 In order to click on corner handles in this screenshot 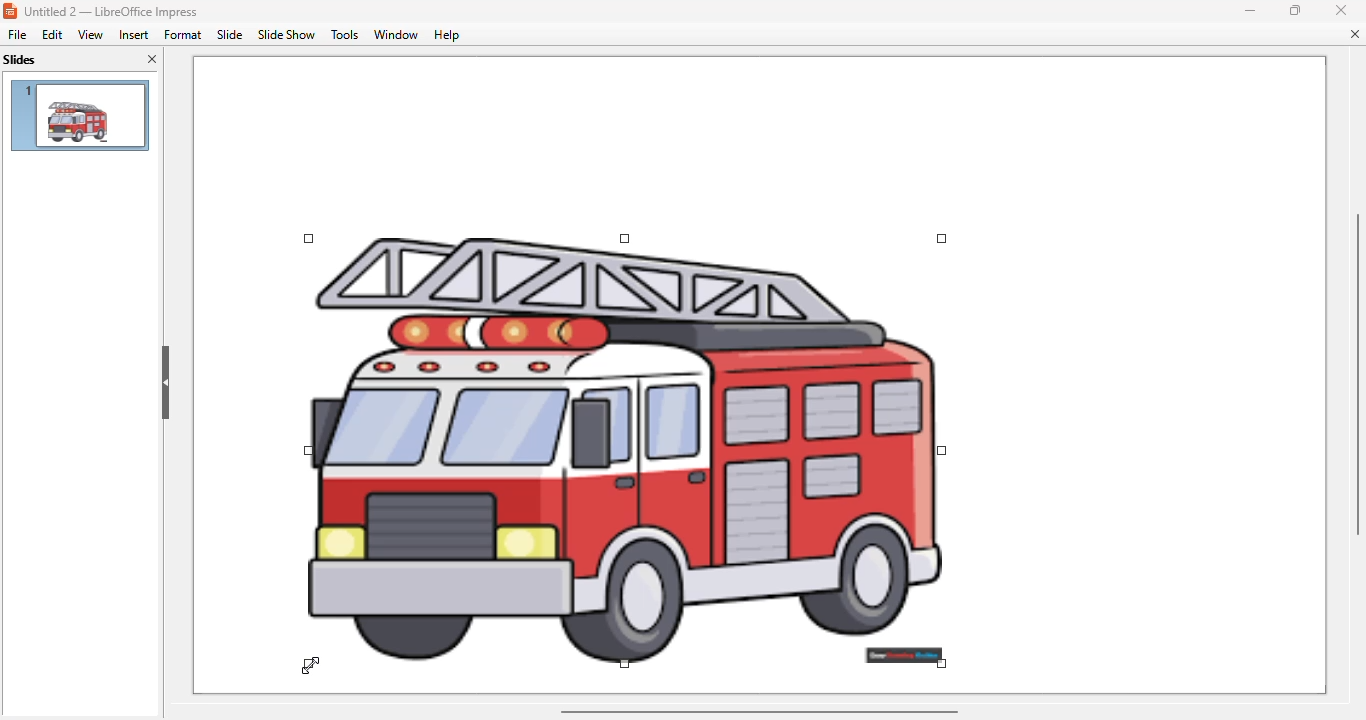, I will do `click(309, 663)`.